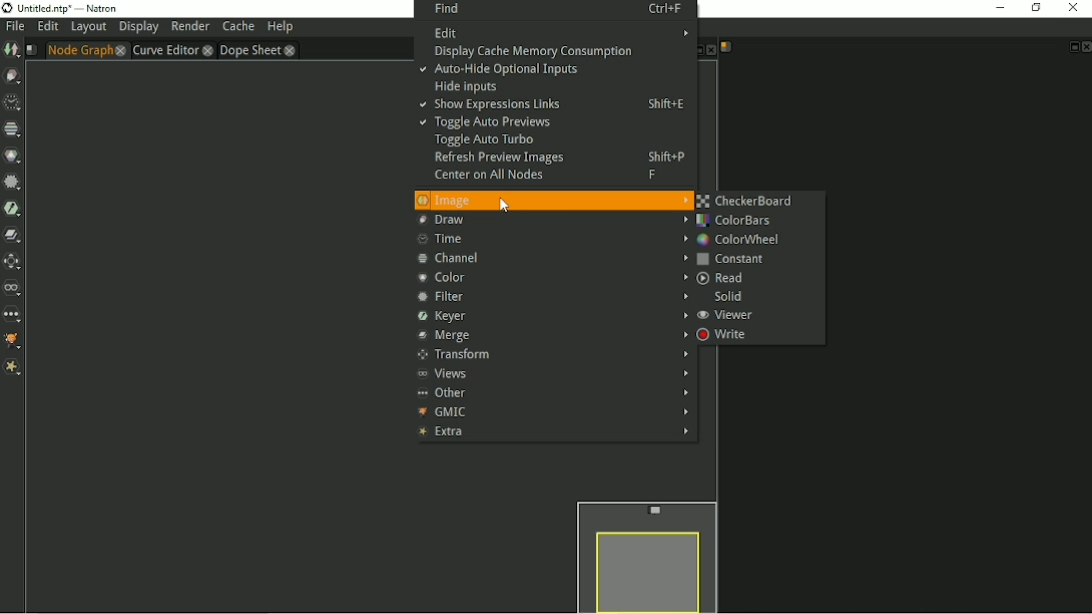 The image size is (1092, 614). What do you see at coordinates (500, 71) in the screenshot?
I see `Auto hide optional inputs` at bounding box center [500, 71].